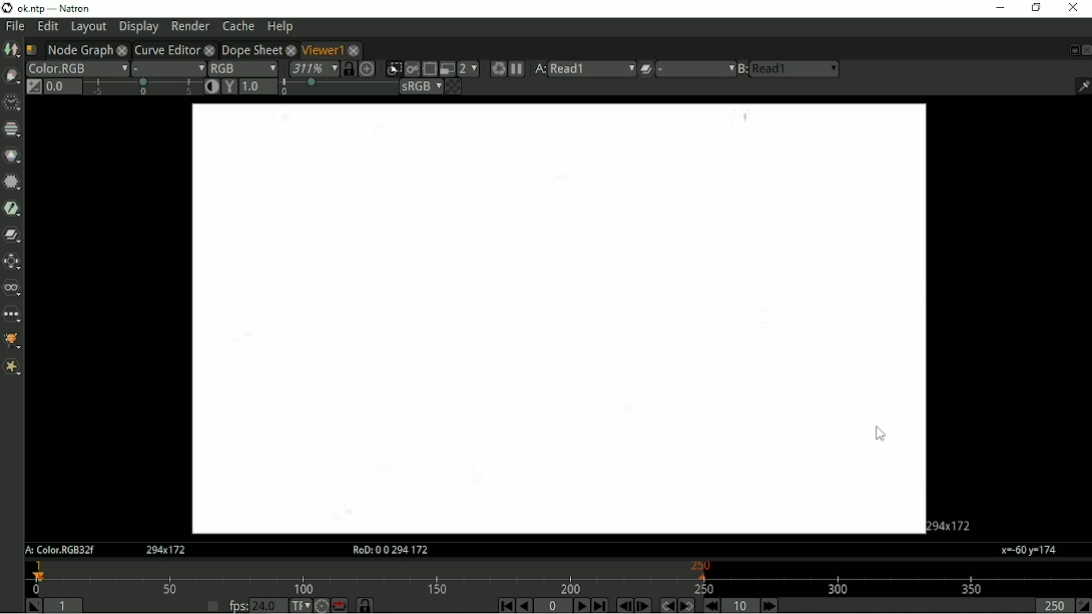  I want to click on Previous keyframe, so click(667, 605).